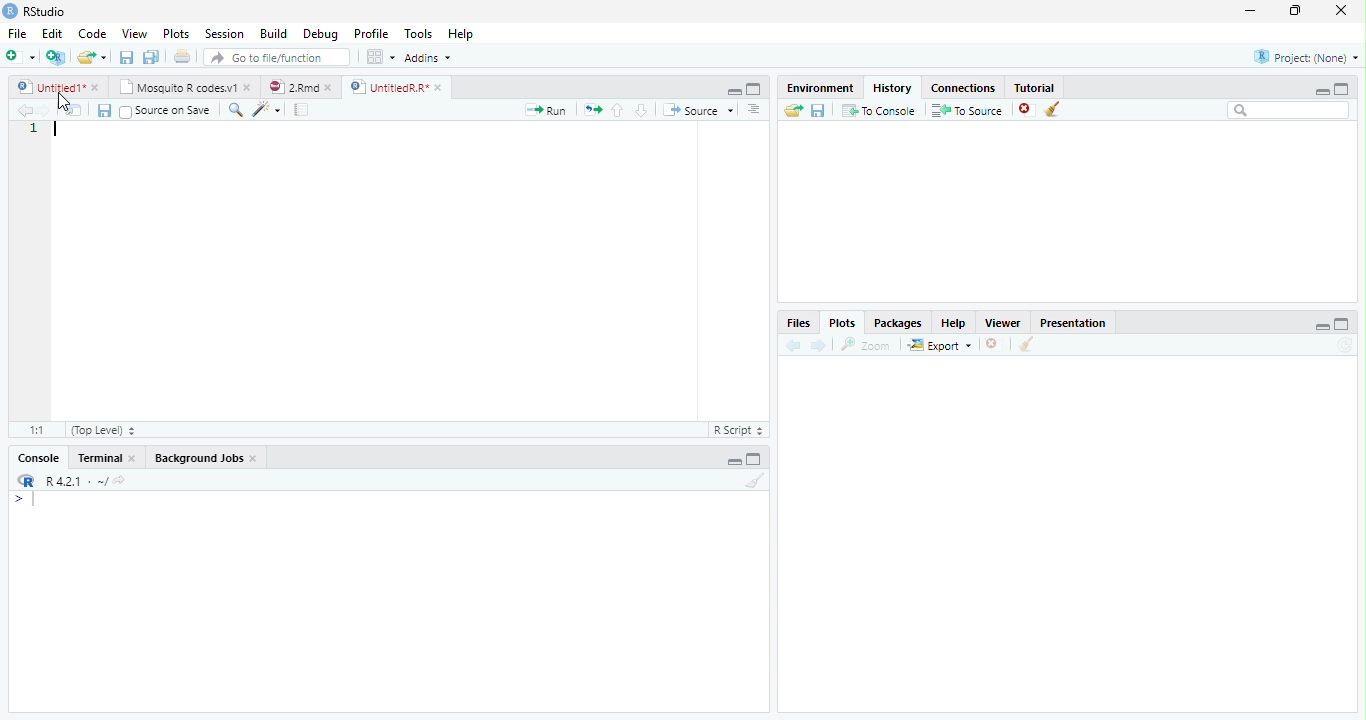  What do you see at coordinates (1289, 111) in the screenshot?
I see `Search bar` at bounding box center [1289, 111].